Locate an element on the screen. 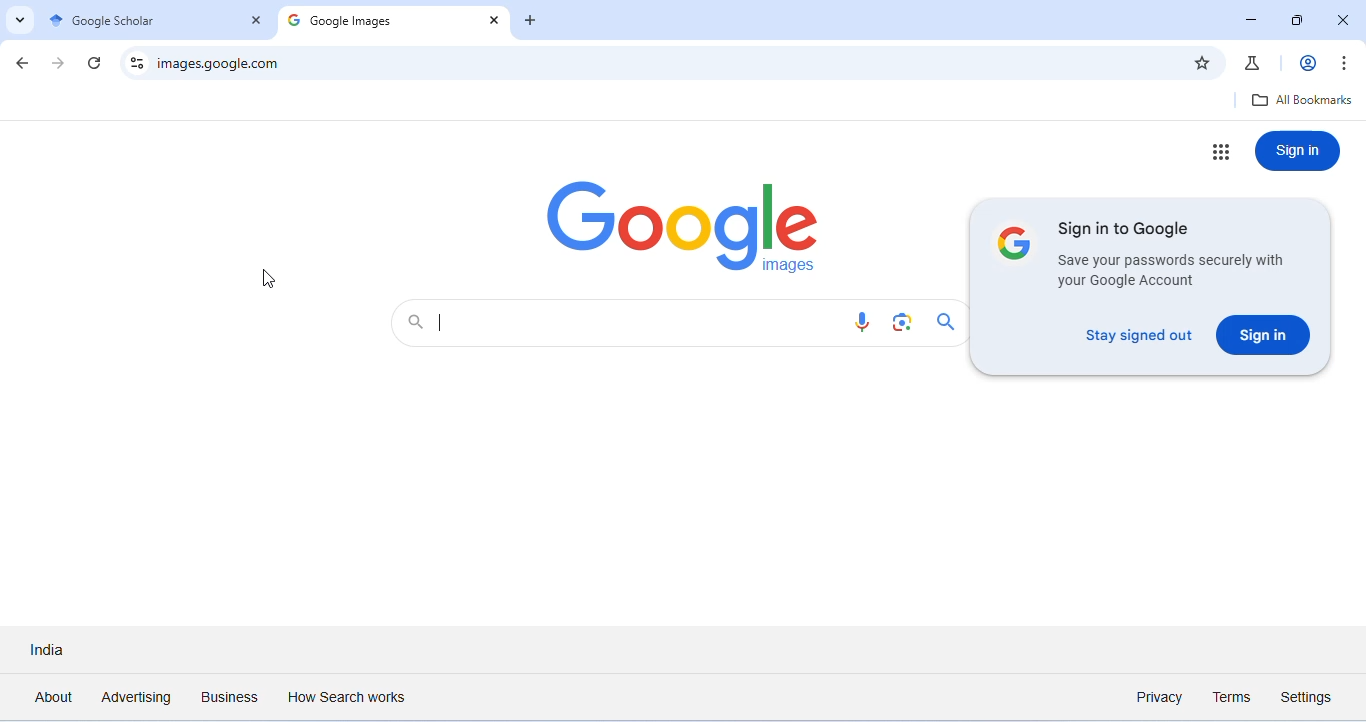  settings is located at coordinates (1305, 697).